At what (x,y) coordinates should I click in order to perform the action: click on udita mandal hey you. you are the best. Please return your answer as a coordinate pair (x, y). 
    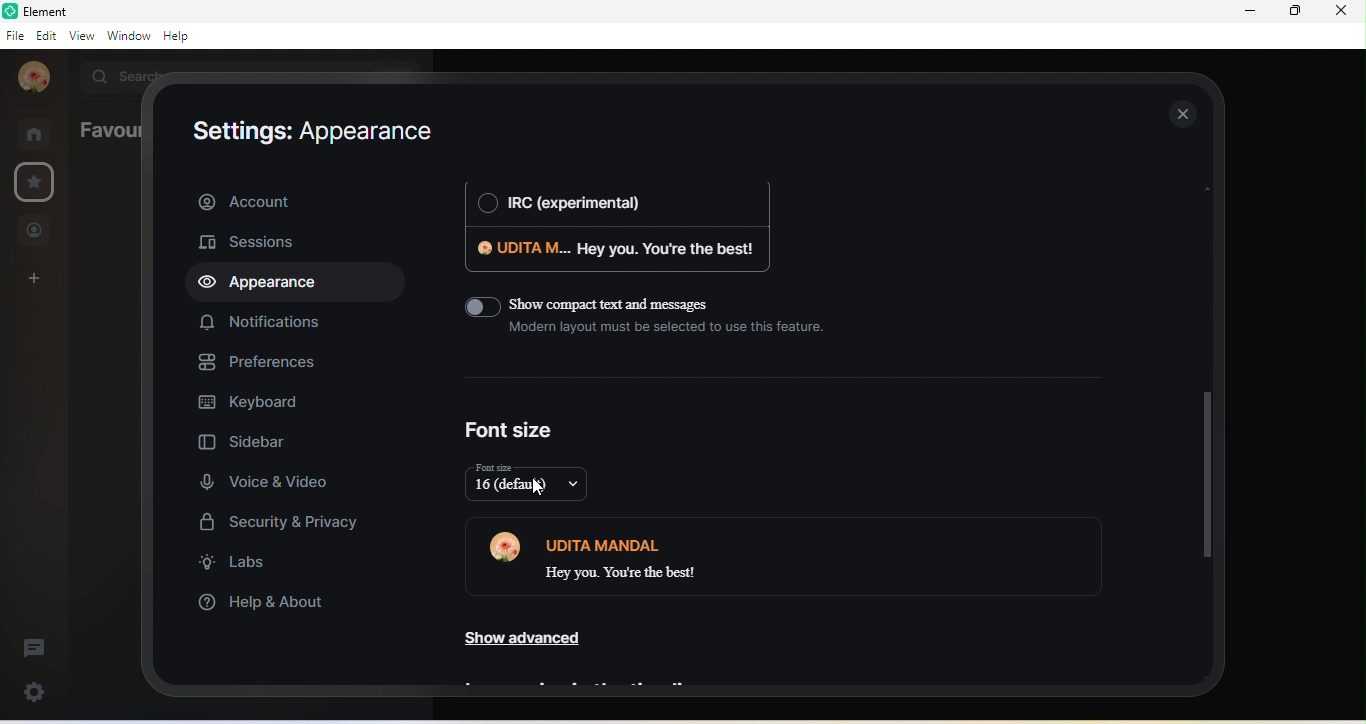
    Looking at the image, I should click on (735, 556).